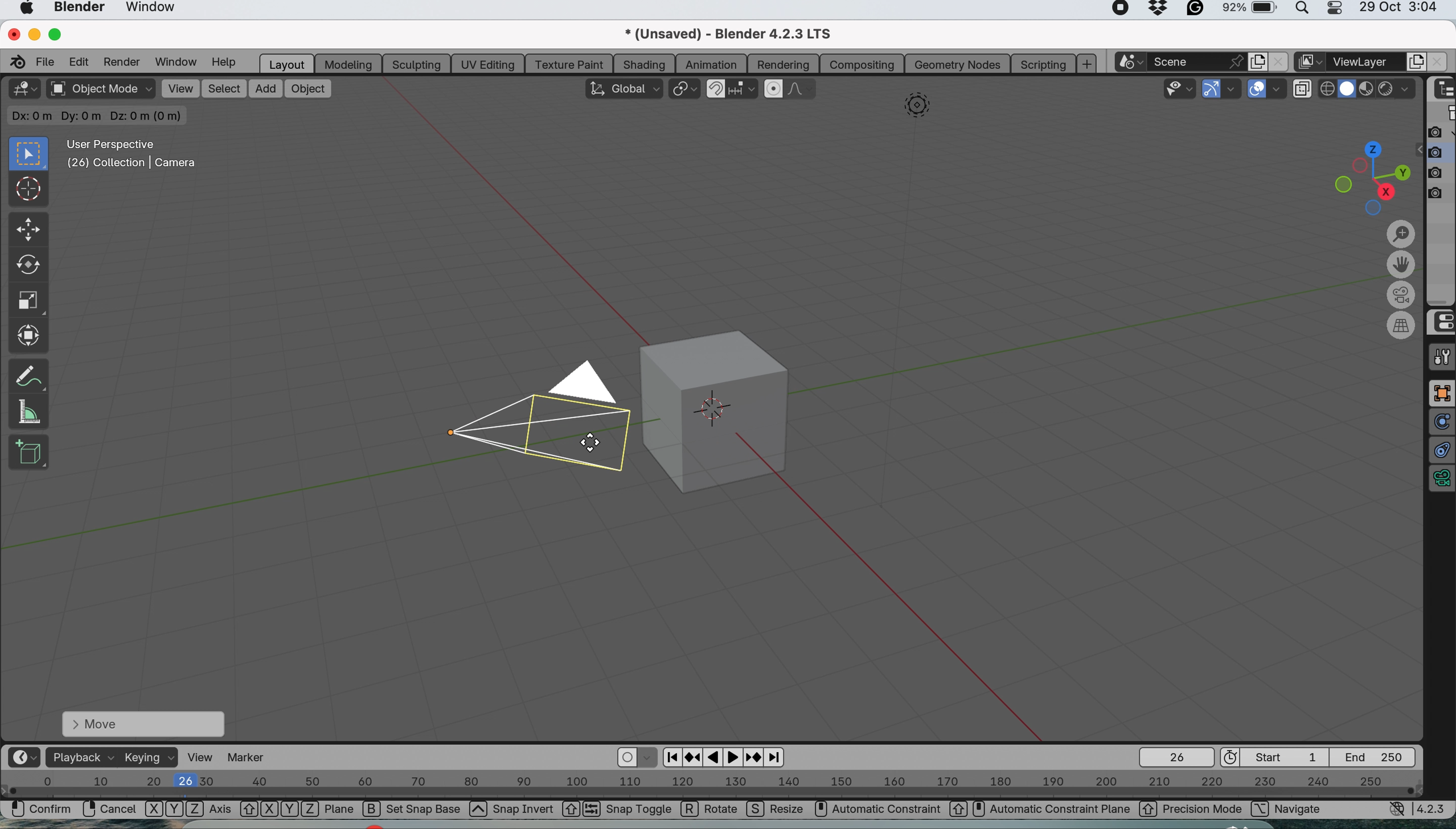  I want to click on select box, so click(26, 154).